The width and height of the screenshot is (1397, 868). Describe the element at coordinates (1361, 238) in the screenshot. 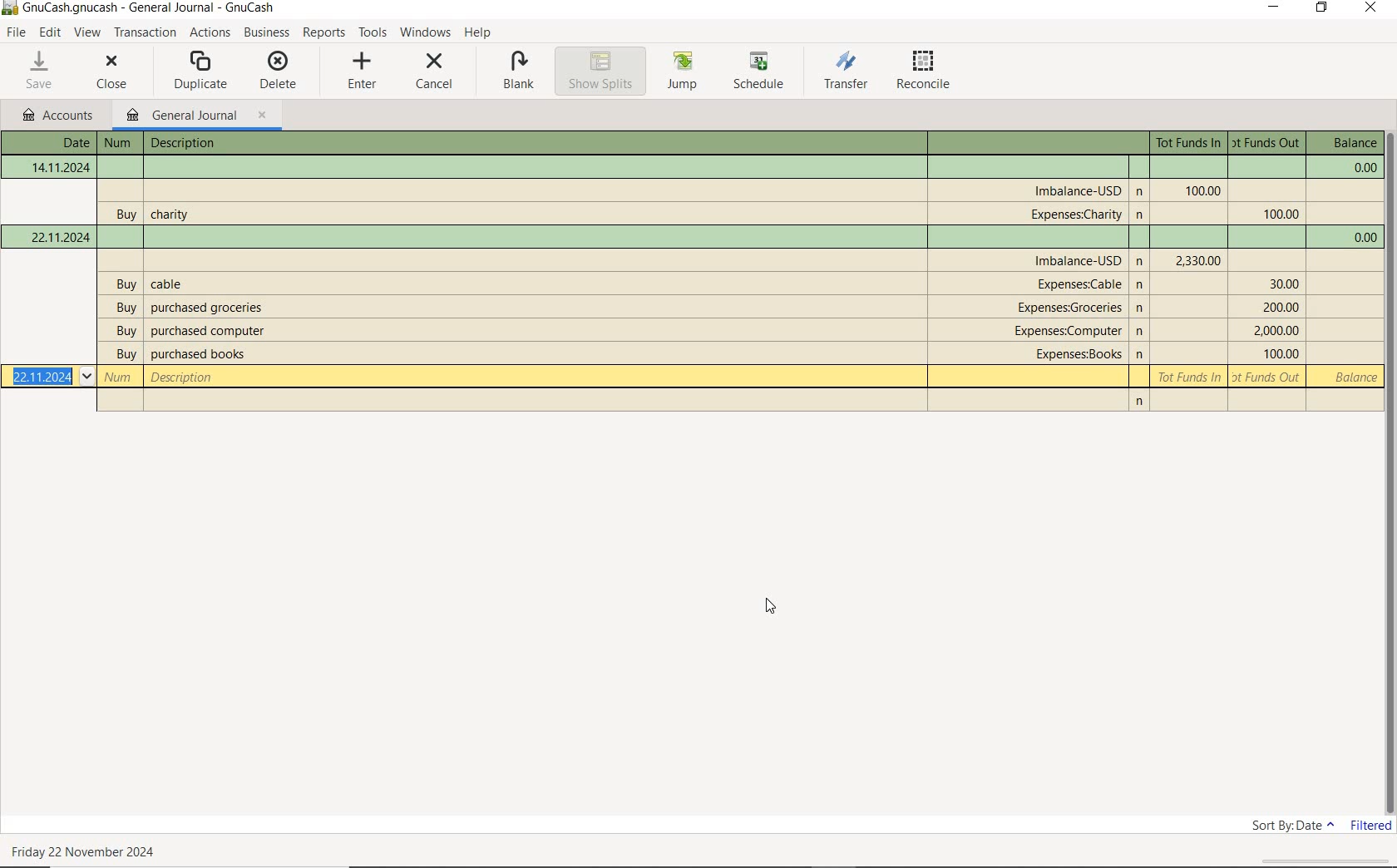

I see `balance` at that location.